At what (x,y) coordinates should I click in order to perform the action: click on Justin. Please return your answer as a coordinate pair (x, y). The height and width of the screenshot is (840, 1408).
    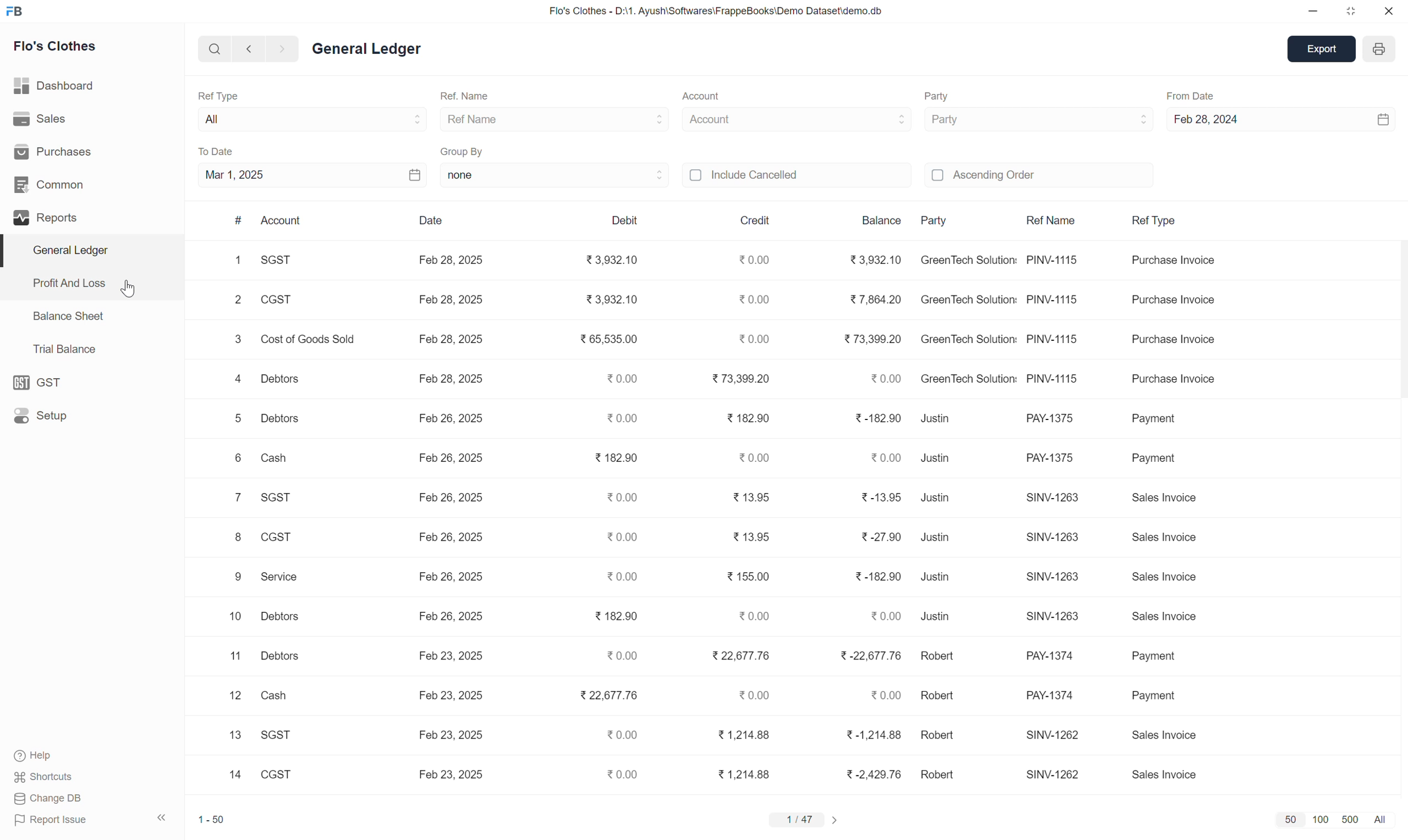
    Looking at the image, I should click on (935, 420).